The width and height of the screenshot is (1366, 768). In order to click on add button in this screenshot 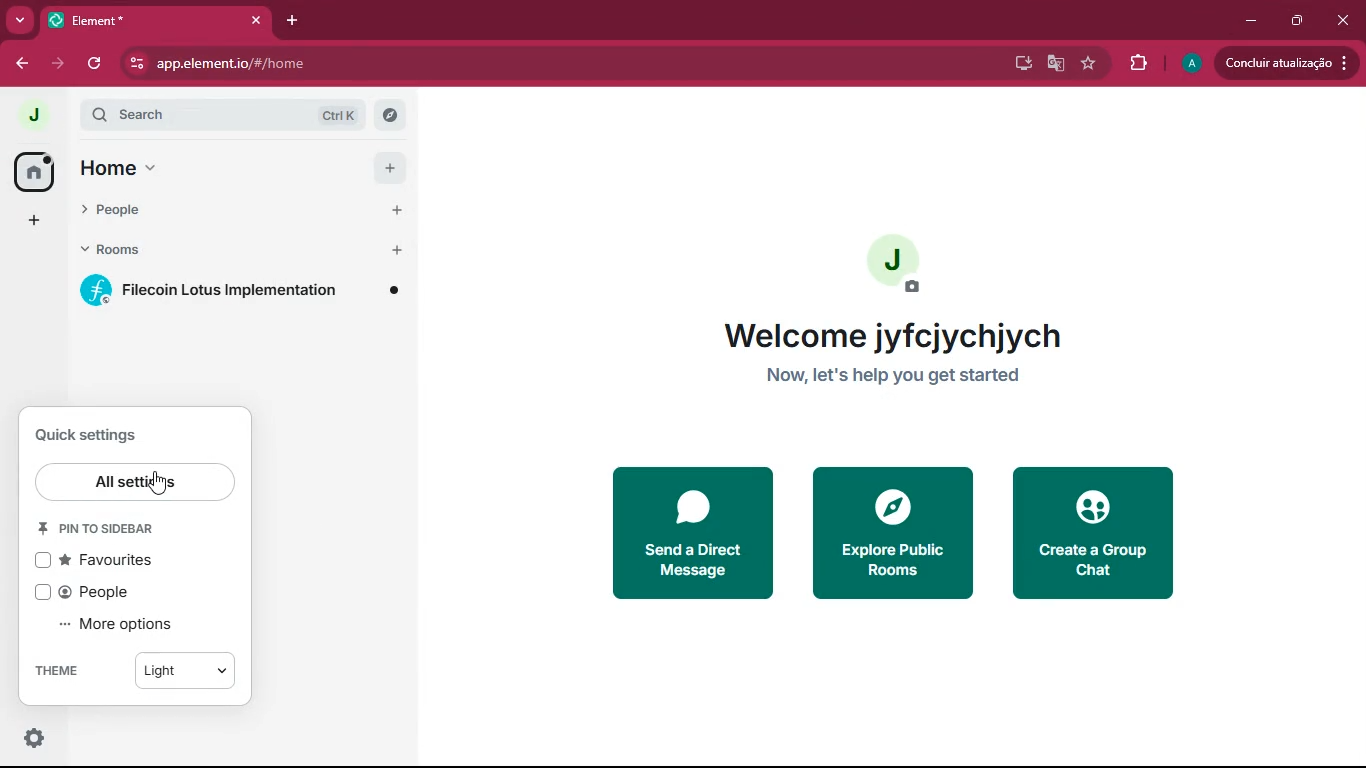, I will do `click(398, 250)`.